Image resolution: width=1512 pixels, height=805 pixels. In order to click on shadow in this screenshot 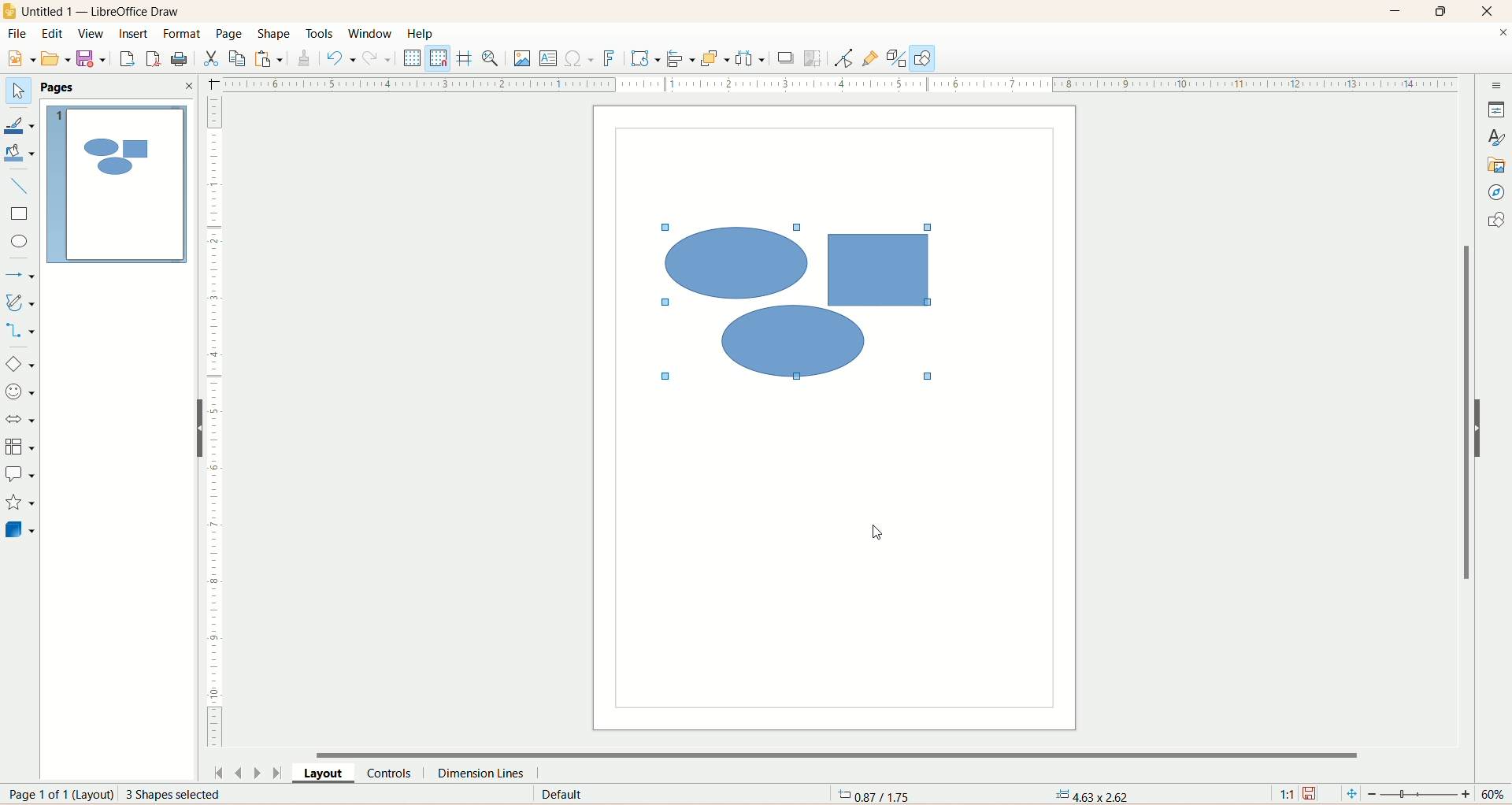, I will do `click(787, 61)`.